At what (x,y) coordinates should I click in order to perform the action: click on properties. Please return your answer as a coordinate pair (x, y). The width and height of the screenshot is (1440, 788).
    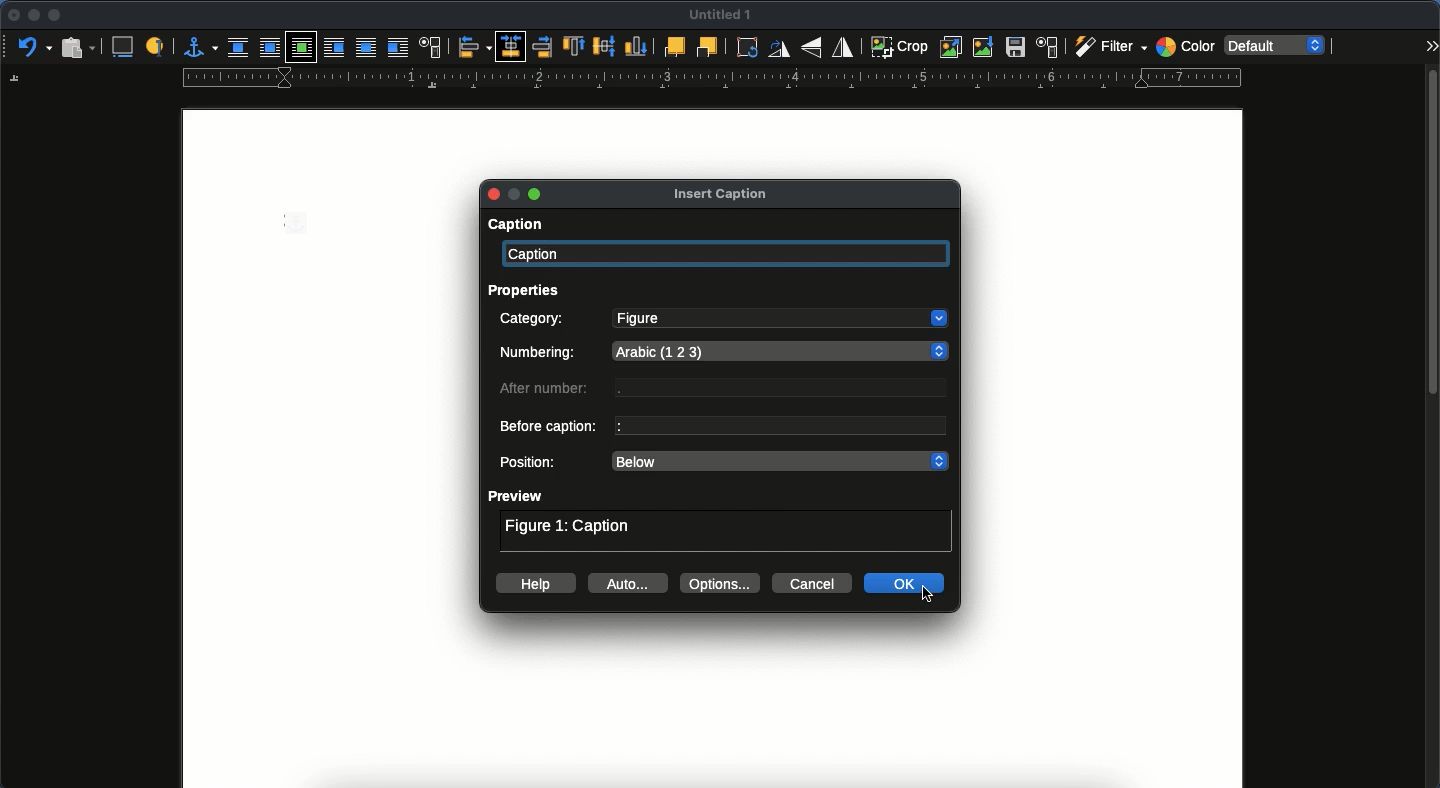
    Looking at the image, I should click on (529, 289).